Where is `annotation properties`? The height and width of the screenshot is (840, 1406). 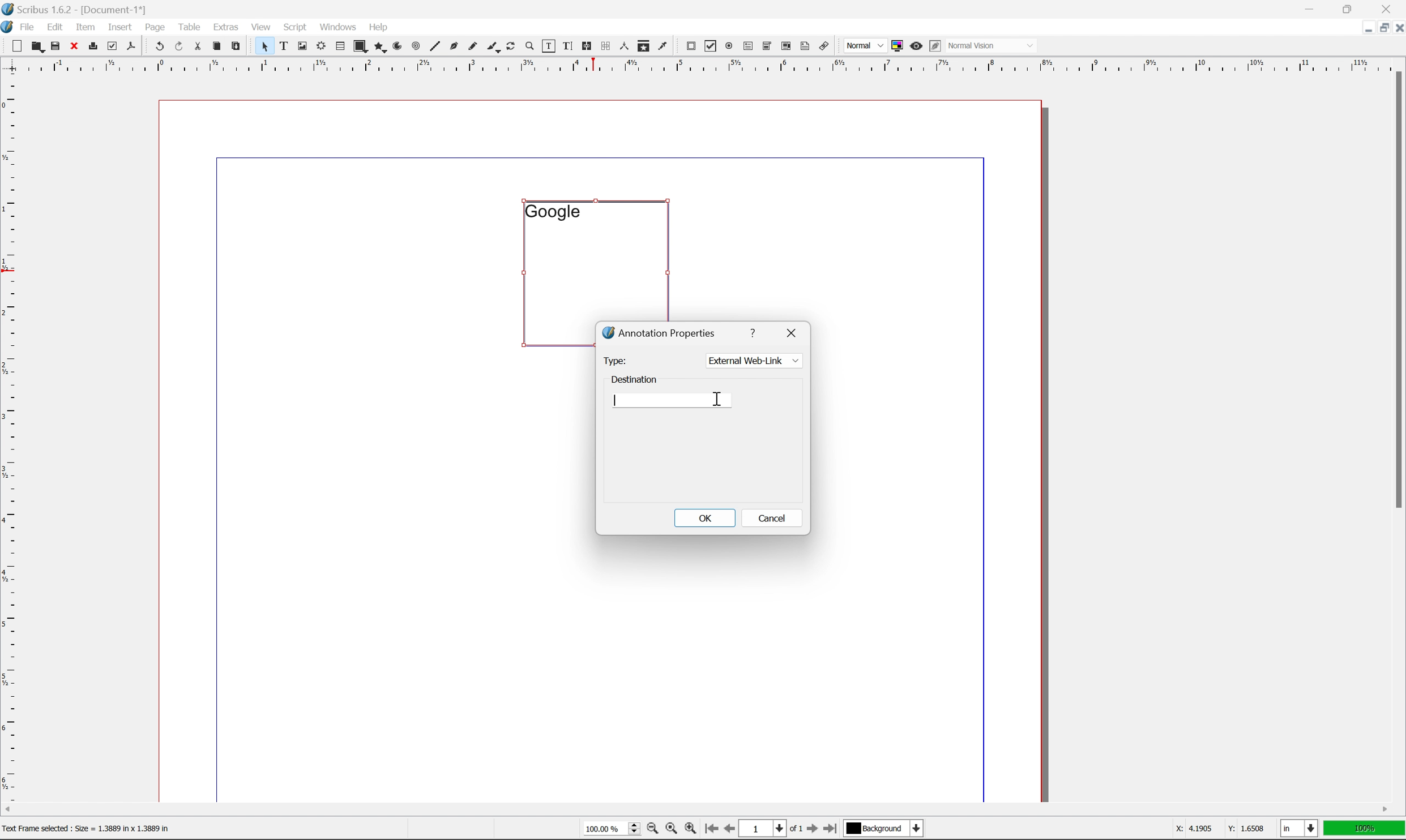
annotation properties is located at coordinates (660, 332).